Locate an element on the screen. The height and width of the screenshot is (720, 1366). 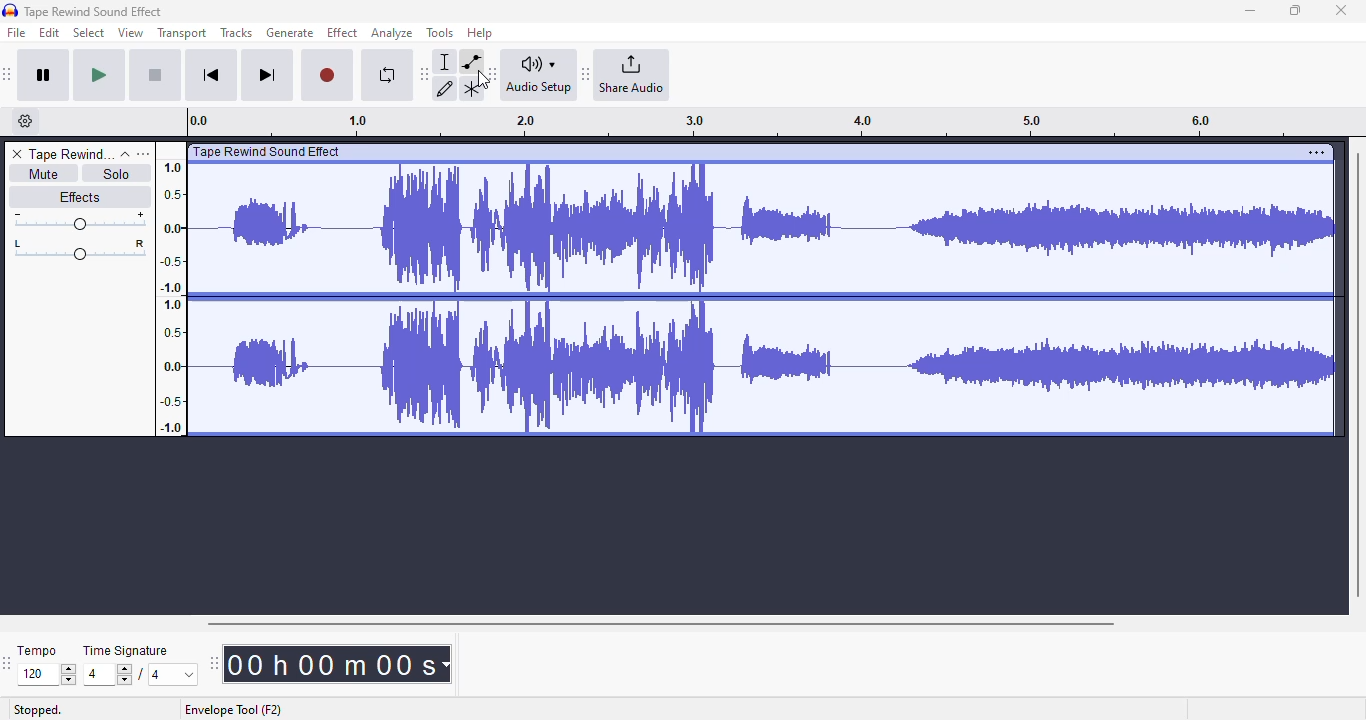
Change volume is located at coordinates (79, 221).